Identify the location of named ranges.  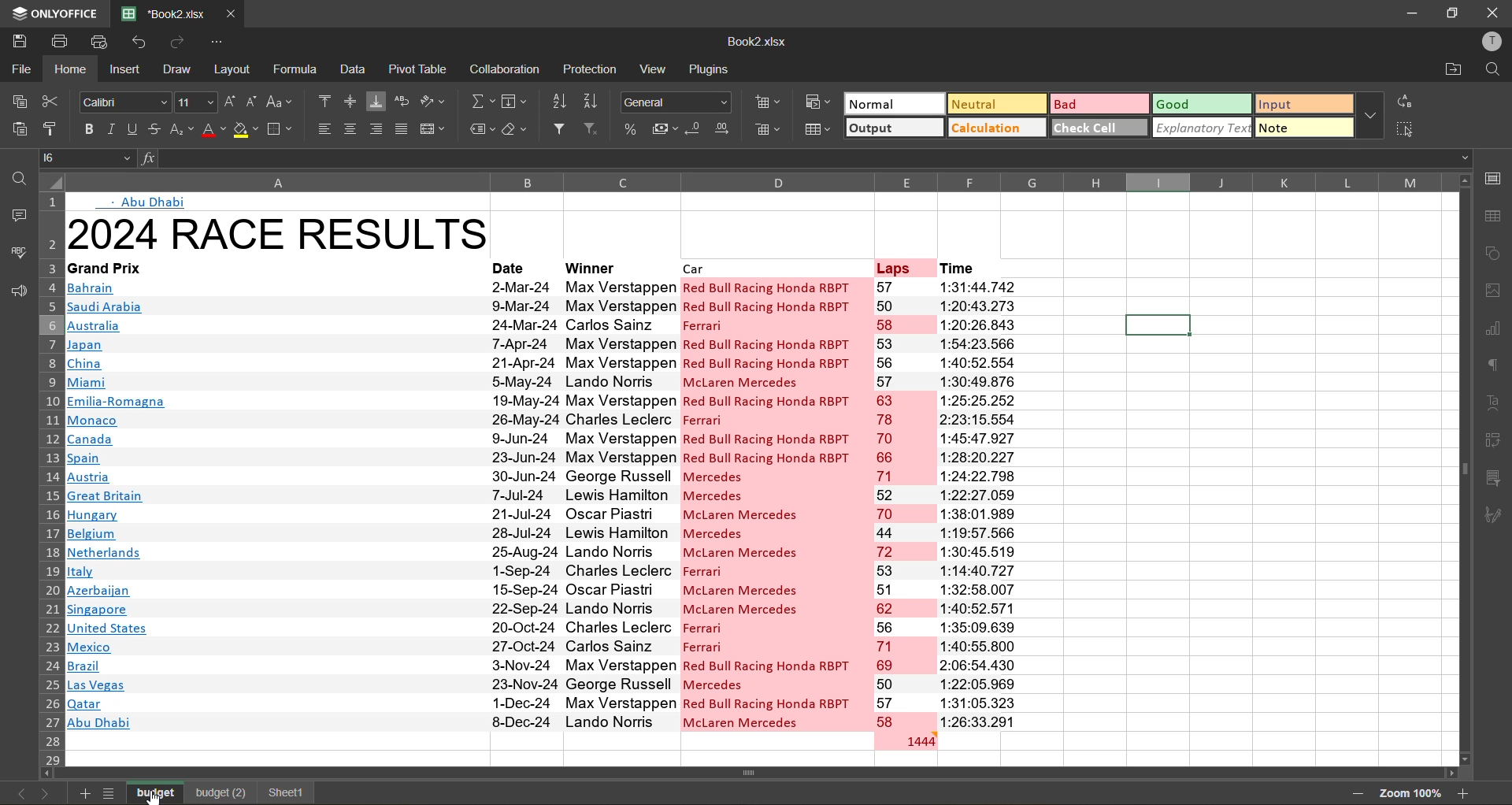
(481, 130).